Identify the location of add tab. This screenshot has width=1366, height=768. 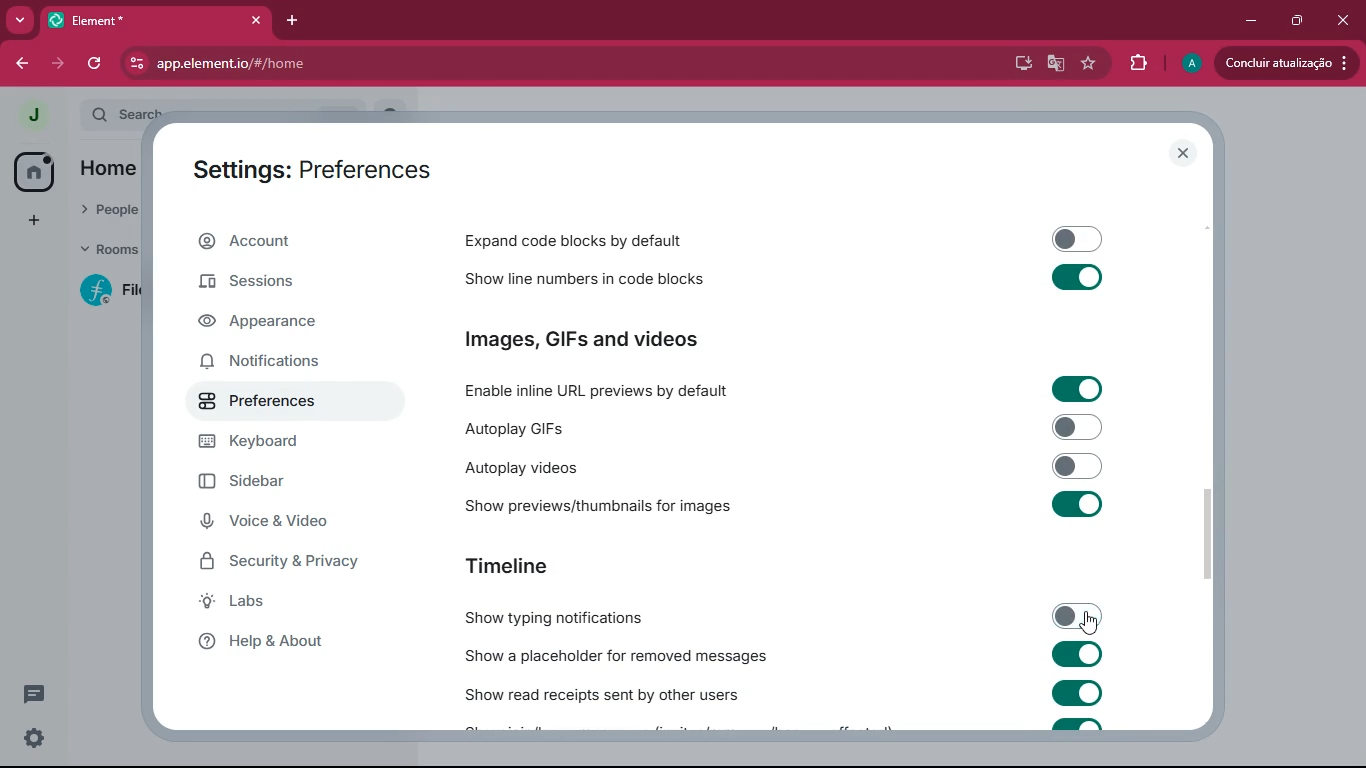
(291, 21).